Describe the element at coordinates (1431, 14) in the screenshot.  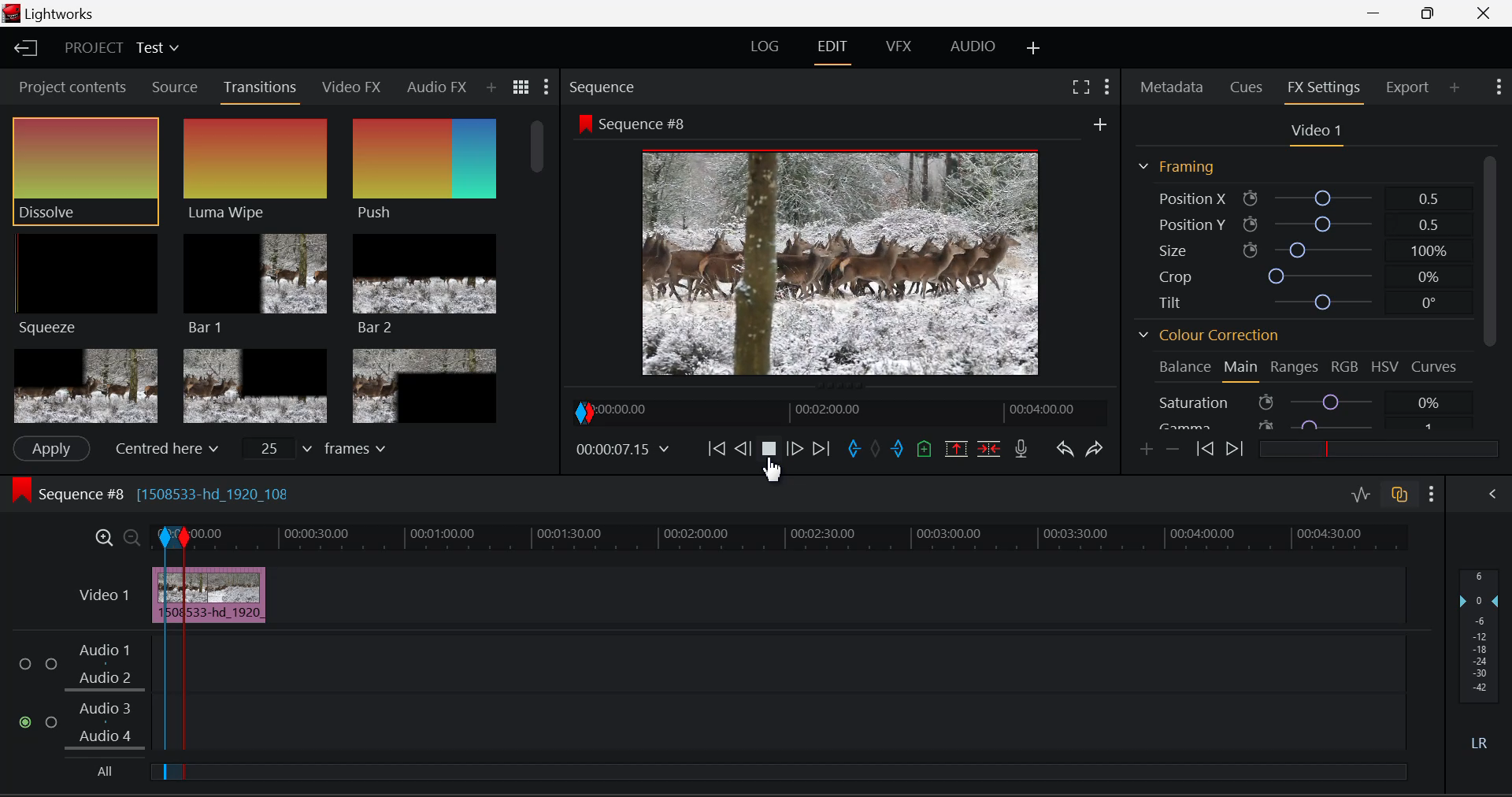
I see `Minimize` at that location.